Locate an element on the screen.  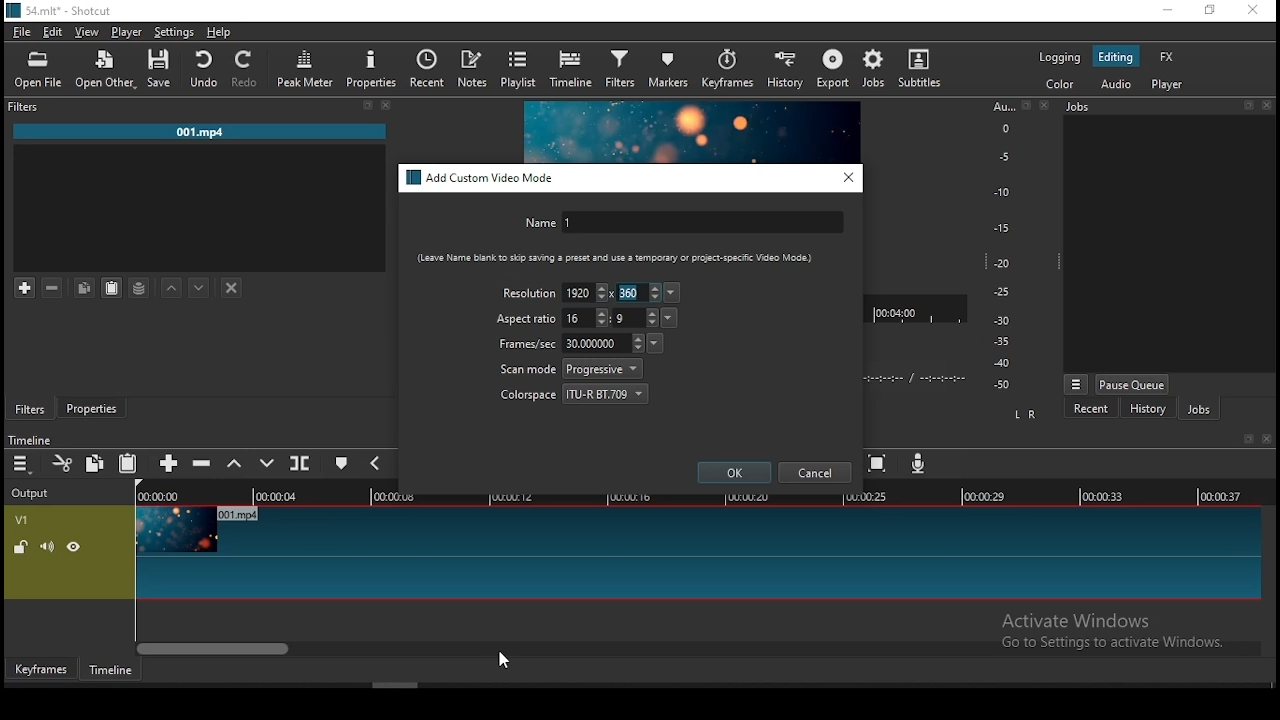
file is located at coordinates (22, 34).